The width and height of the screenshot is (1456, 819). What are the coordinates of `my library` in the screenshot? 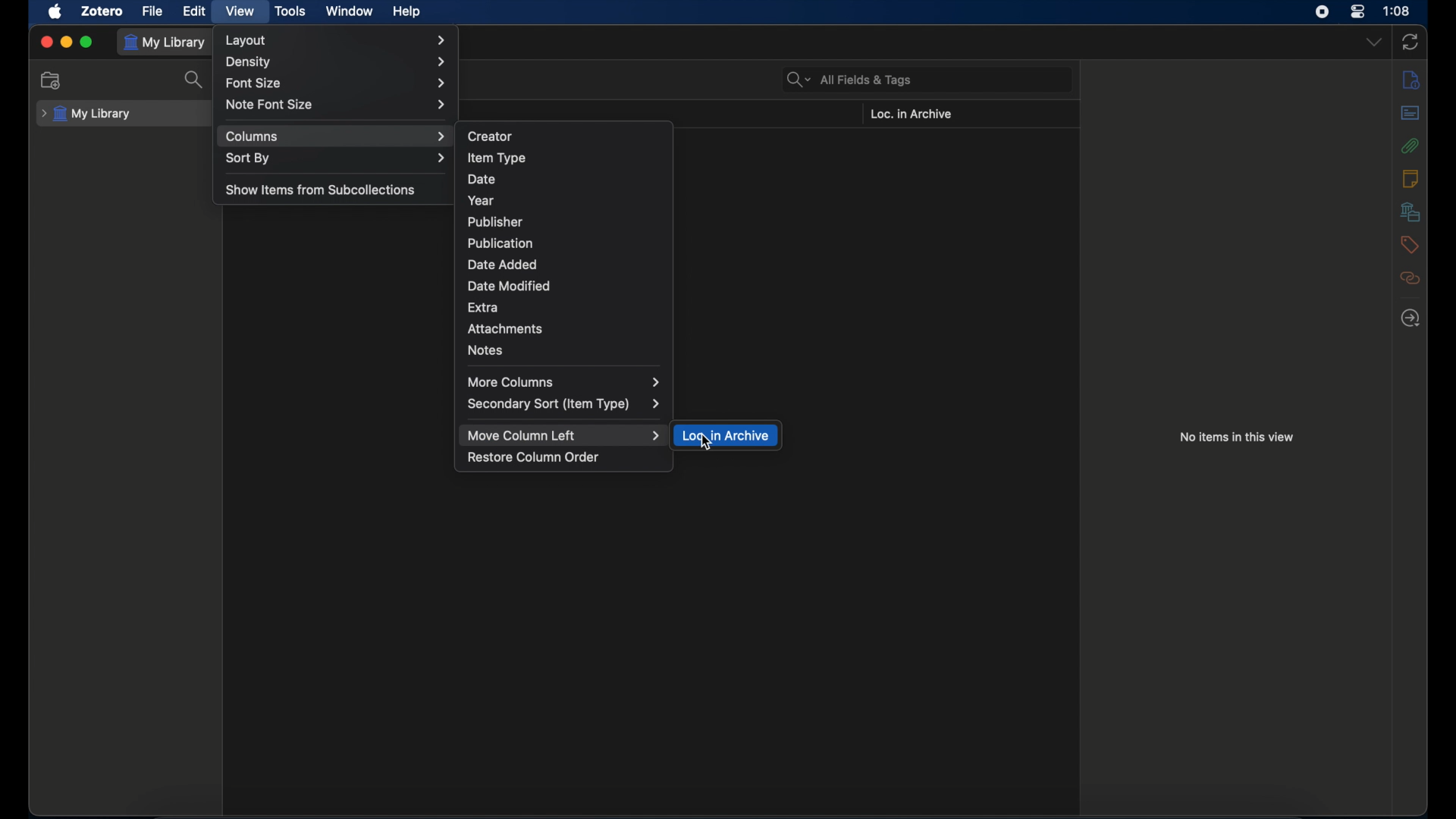 It's located at (86, 115).